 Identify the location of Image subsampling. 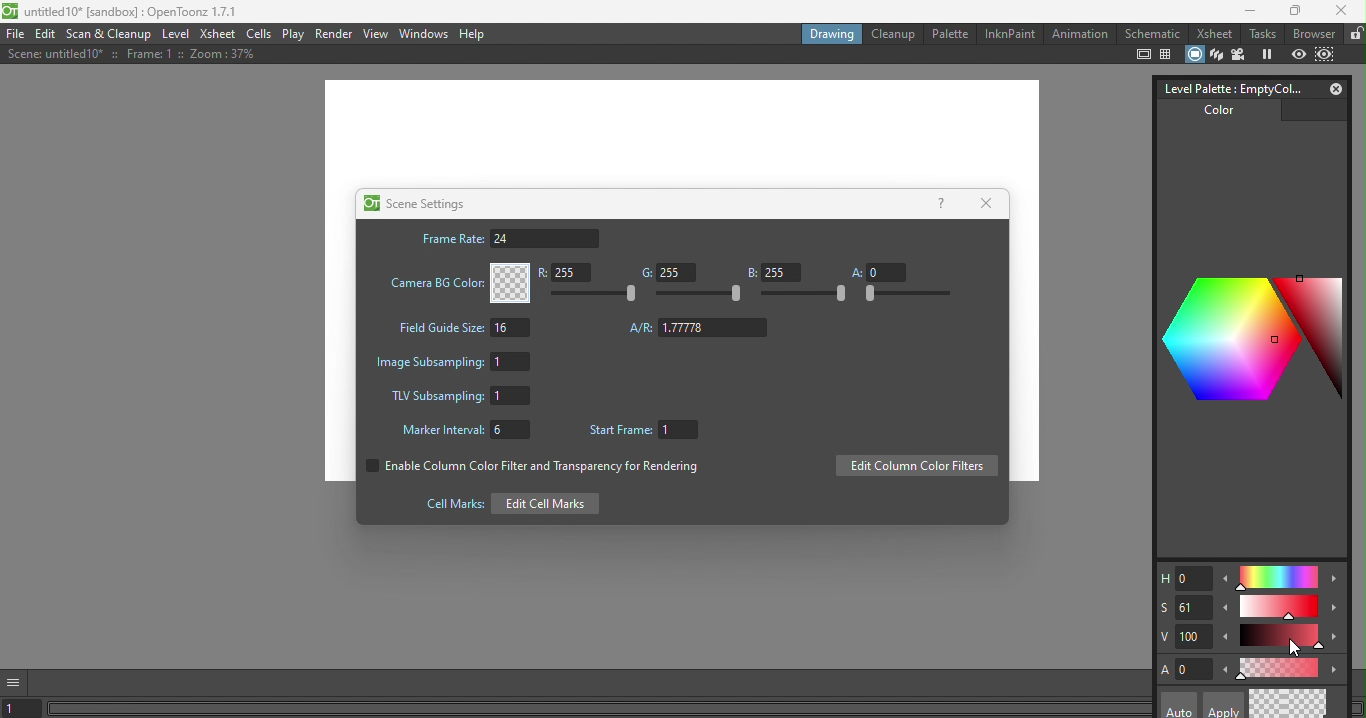
(457, 360).